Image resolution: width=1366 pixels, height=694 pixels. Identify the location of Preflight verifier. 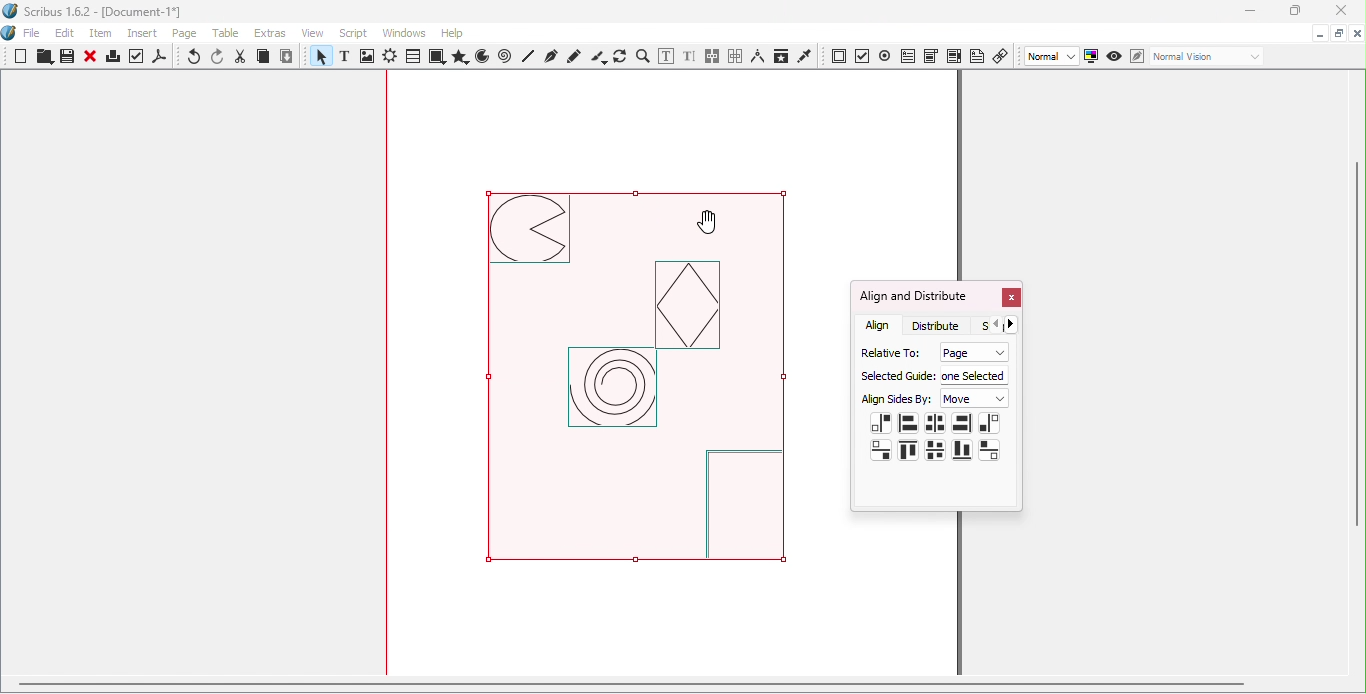
(137, 59).